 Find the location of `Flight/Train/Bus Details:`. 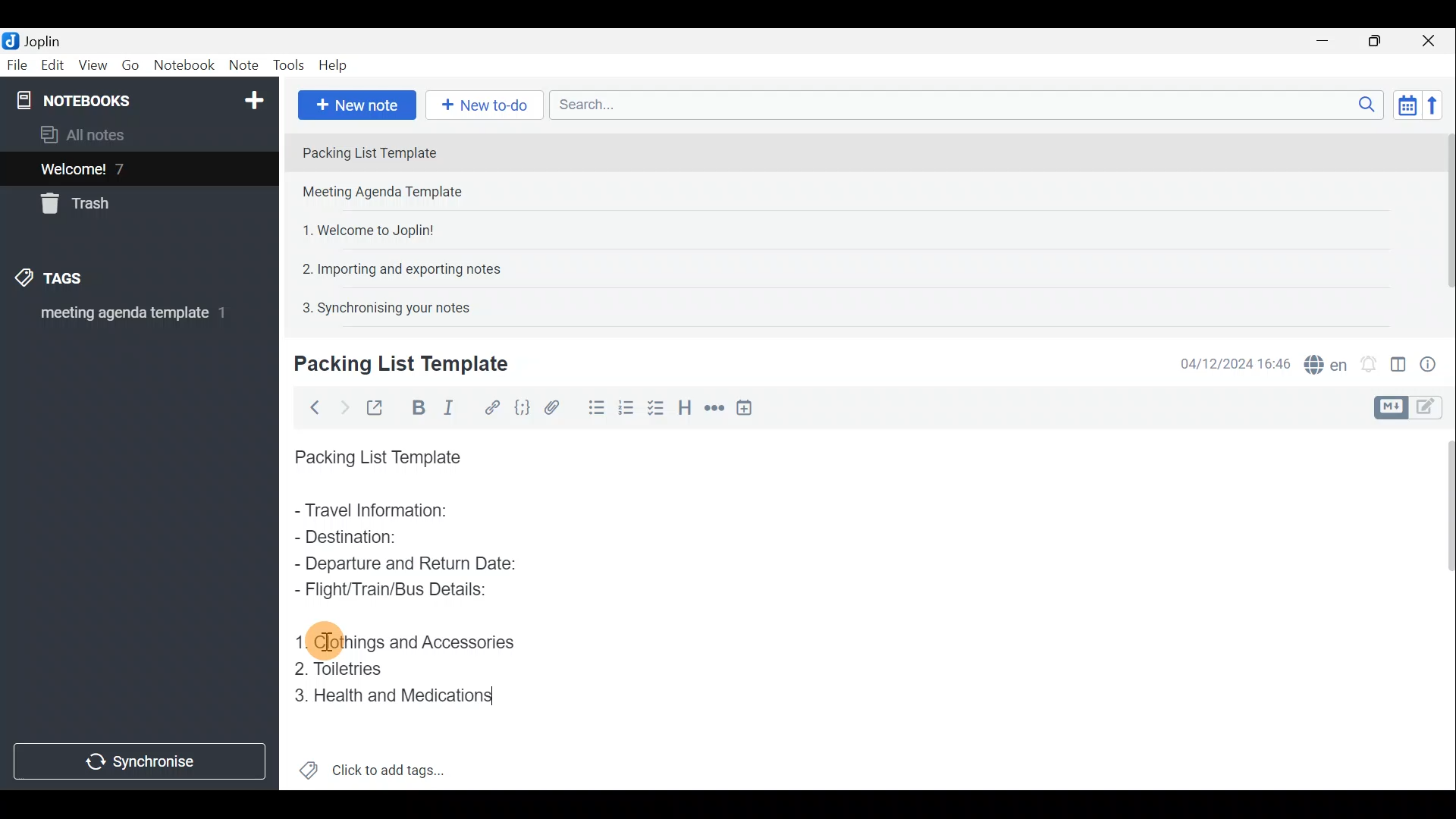

Flight/Train/Bus Details: is located at coordinates (395, 591).